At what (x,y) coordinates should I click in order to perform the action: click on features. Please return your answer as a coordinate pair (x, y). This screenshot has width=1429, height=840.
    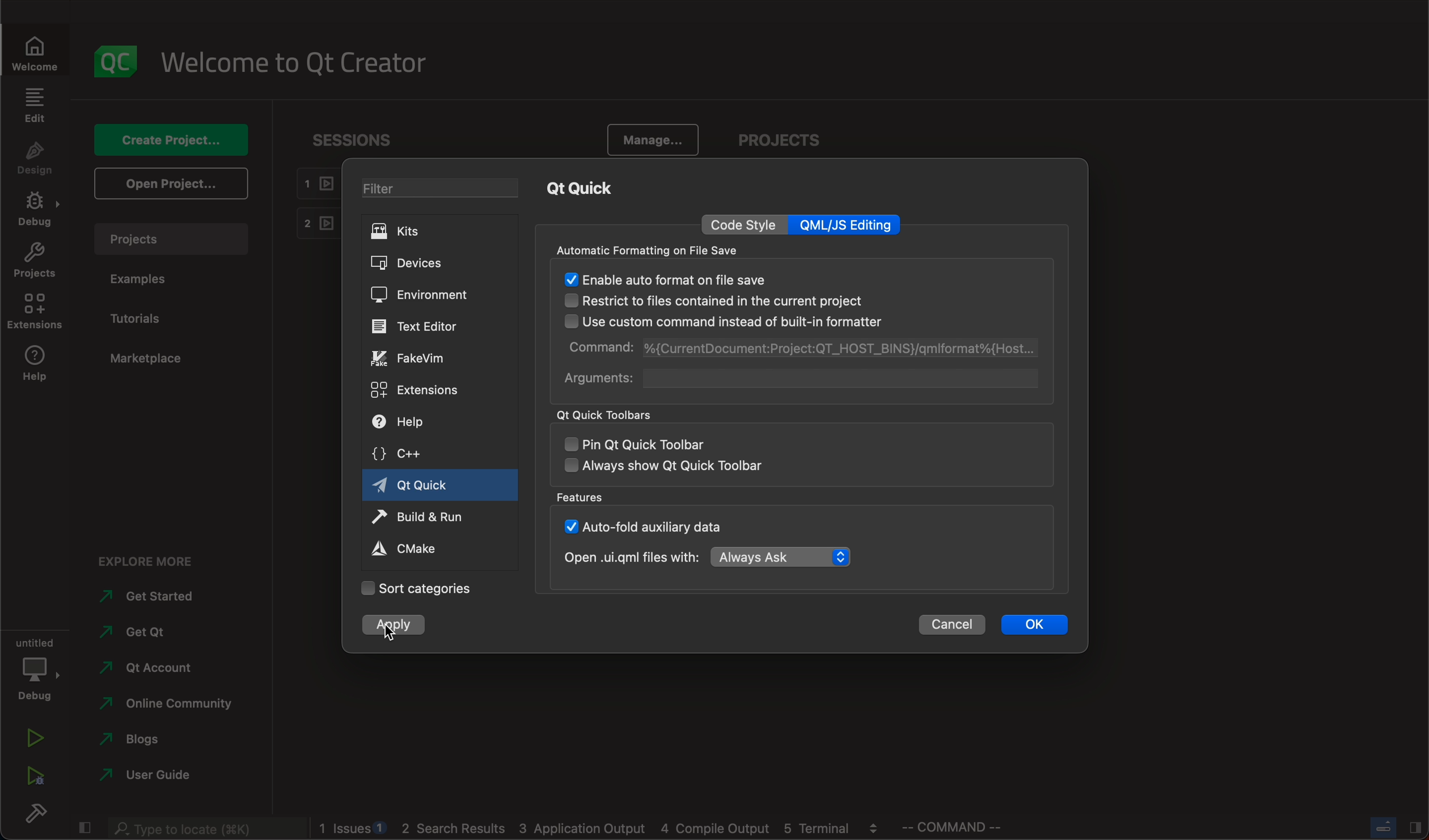
    Looking at the image, I should click on (584, 498).